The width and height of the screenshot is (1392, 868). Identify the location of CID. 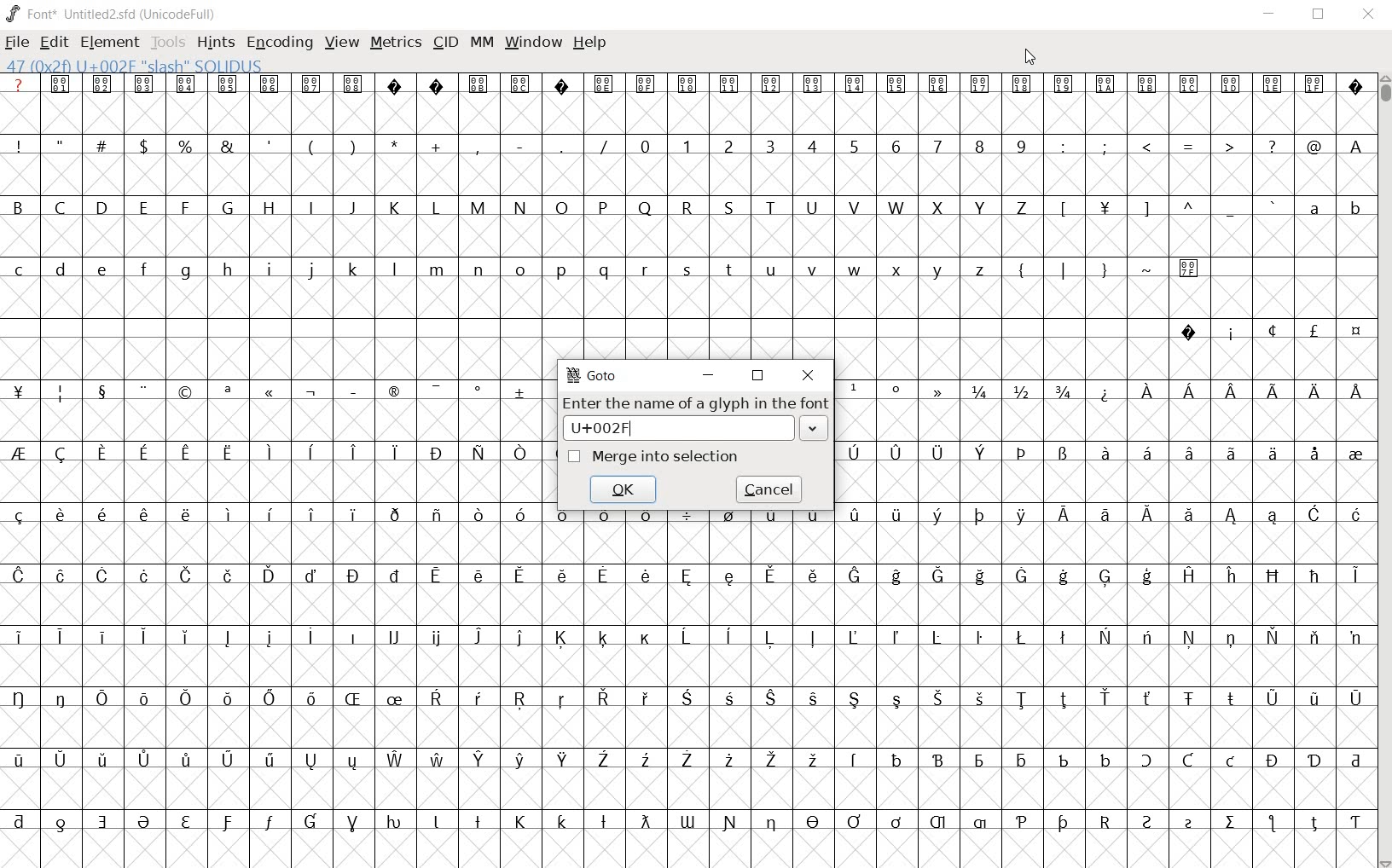
(445, 43).